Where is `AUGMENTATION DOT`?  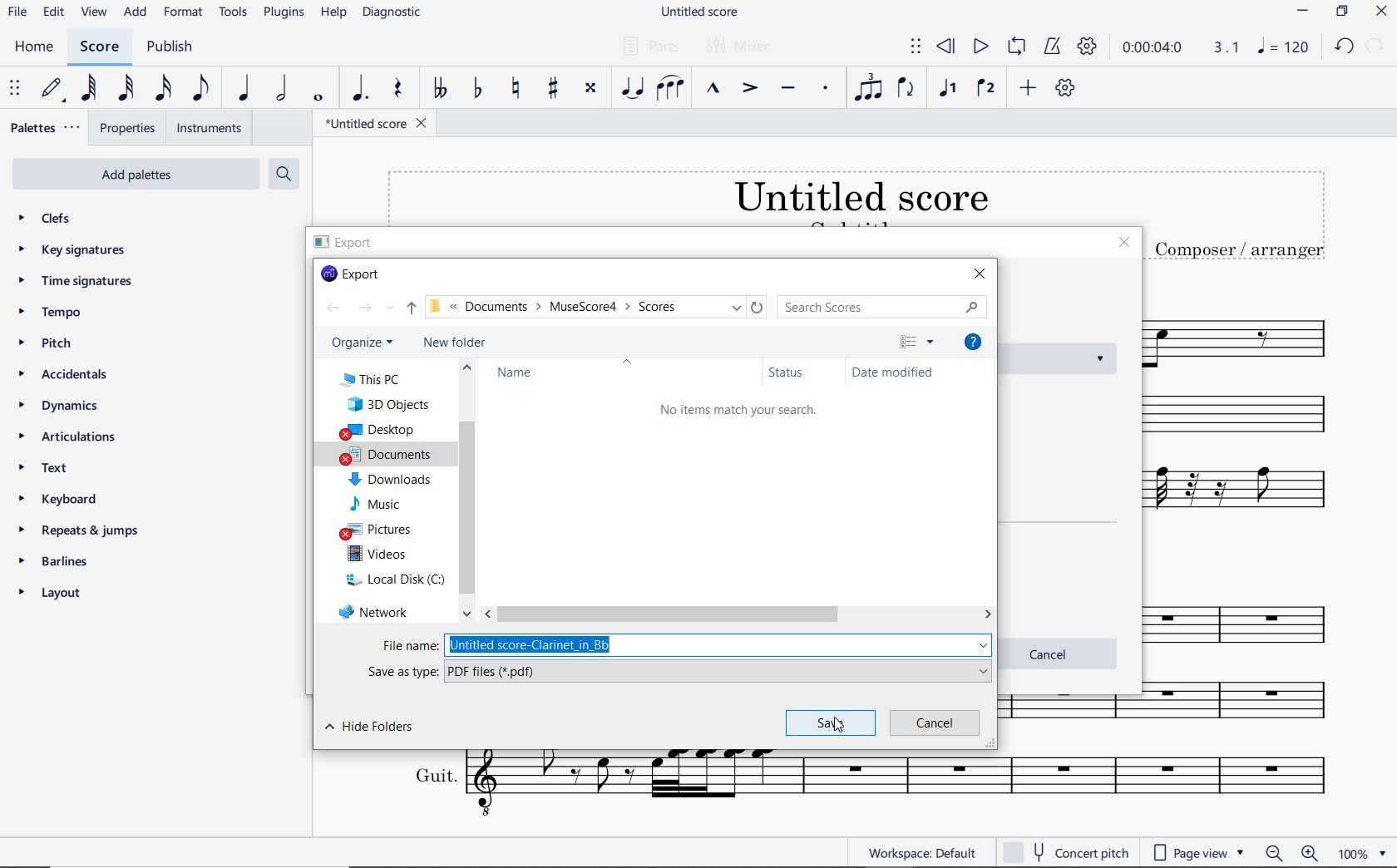
AUGMENTATION DOT is located at coordinates (360, 91).